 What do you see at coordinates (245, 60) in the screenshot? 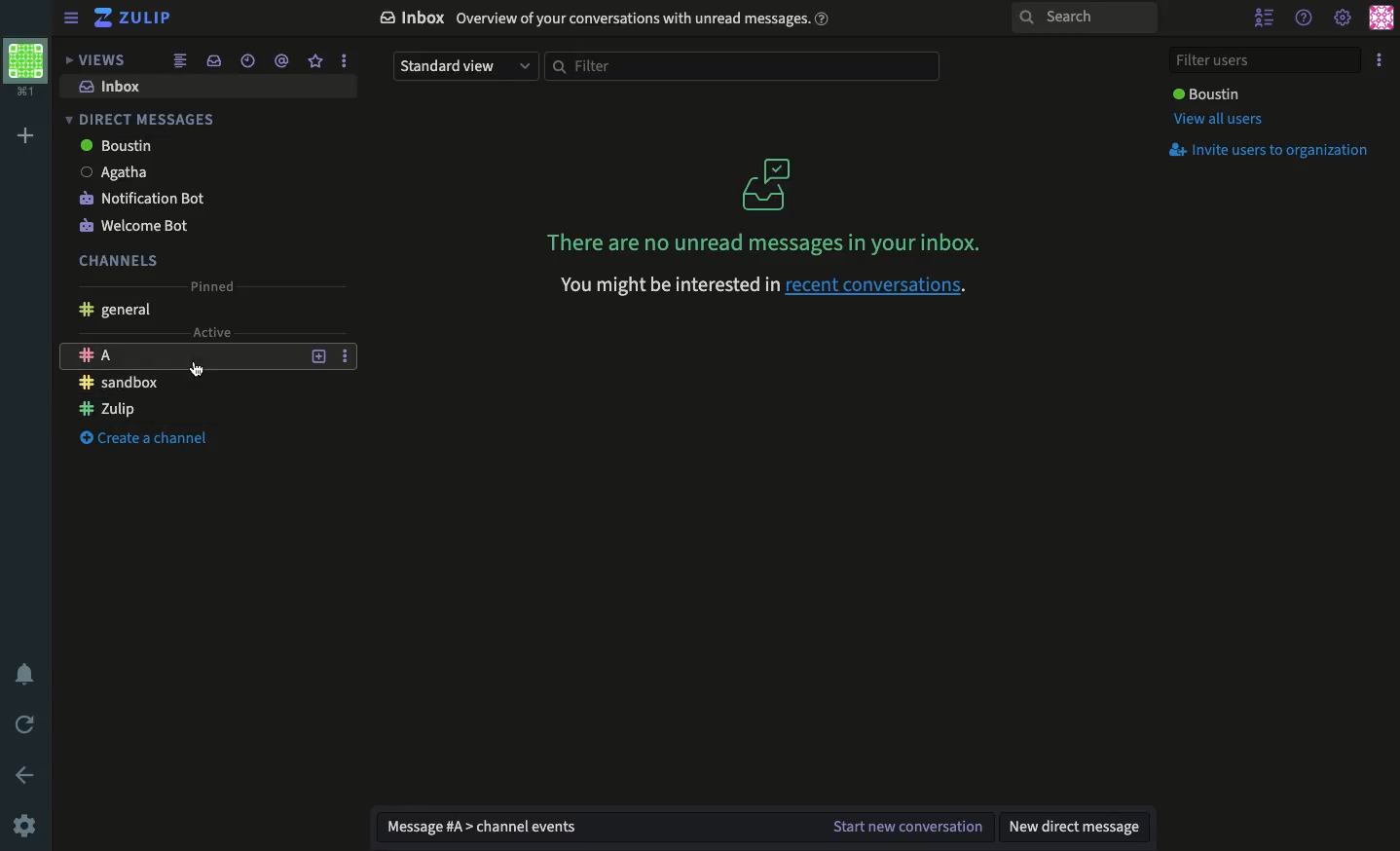
I see `Time` at bounding box center [245, 60].